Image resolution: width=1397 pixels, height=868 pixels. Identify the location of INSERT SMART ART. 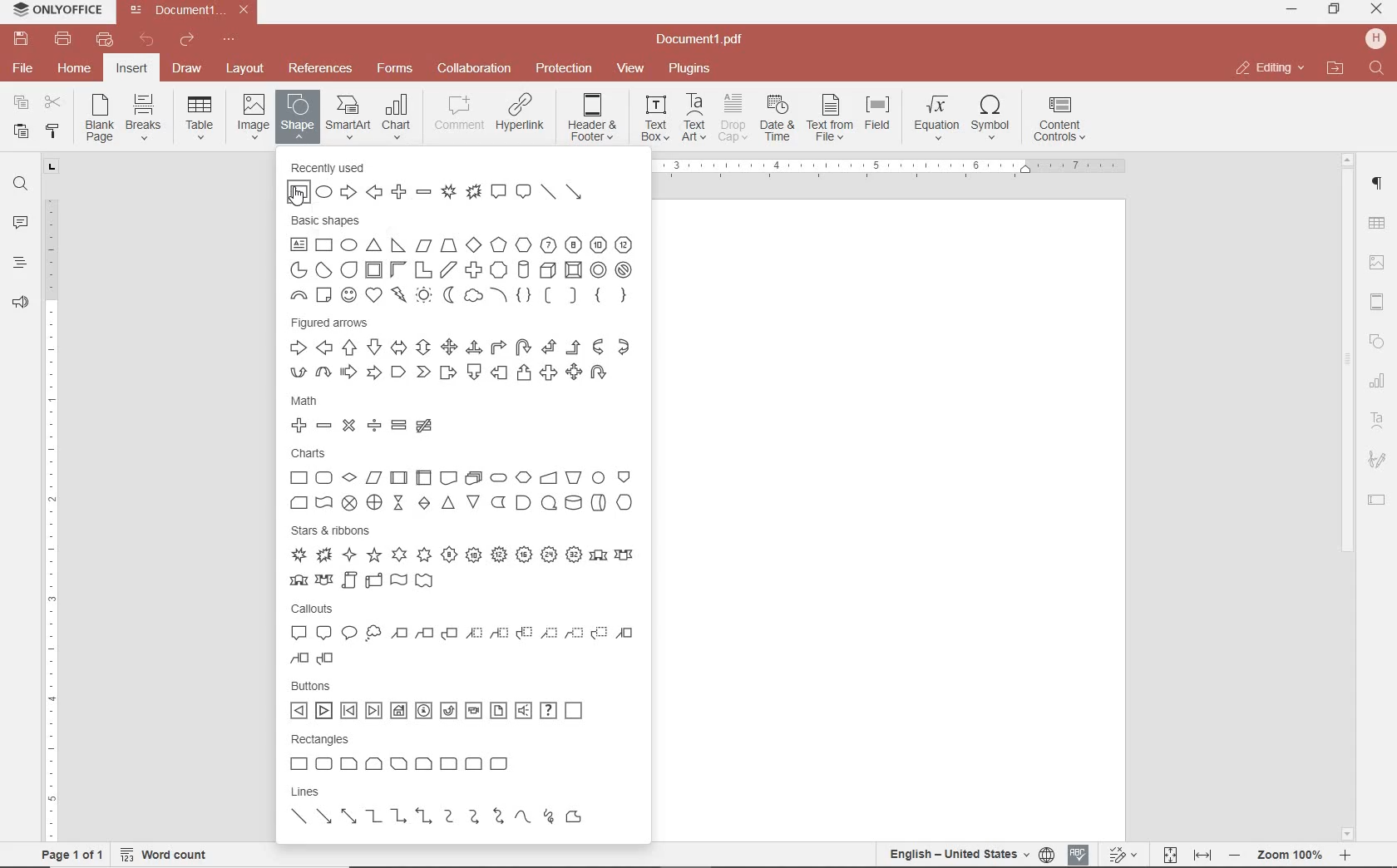
(348, 116).